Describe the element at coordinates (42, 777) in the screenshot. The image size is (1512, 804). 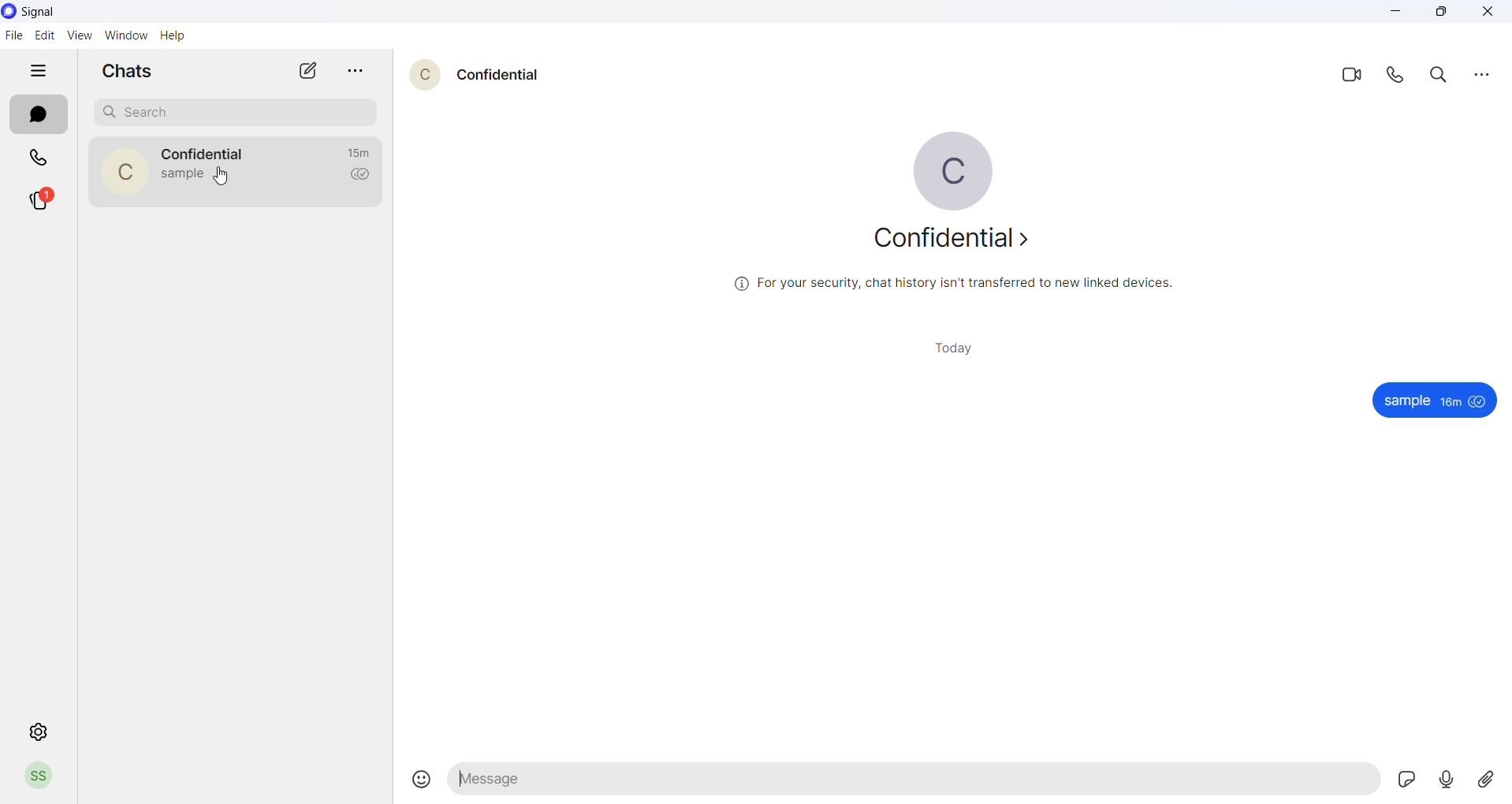
I see `profile` at that location.